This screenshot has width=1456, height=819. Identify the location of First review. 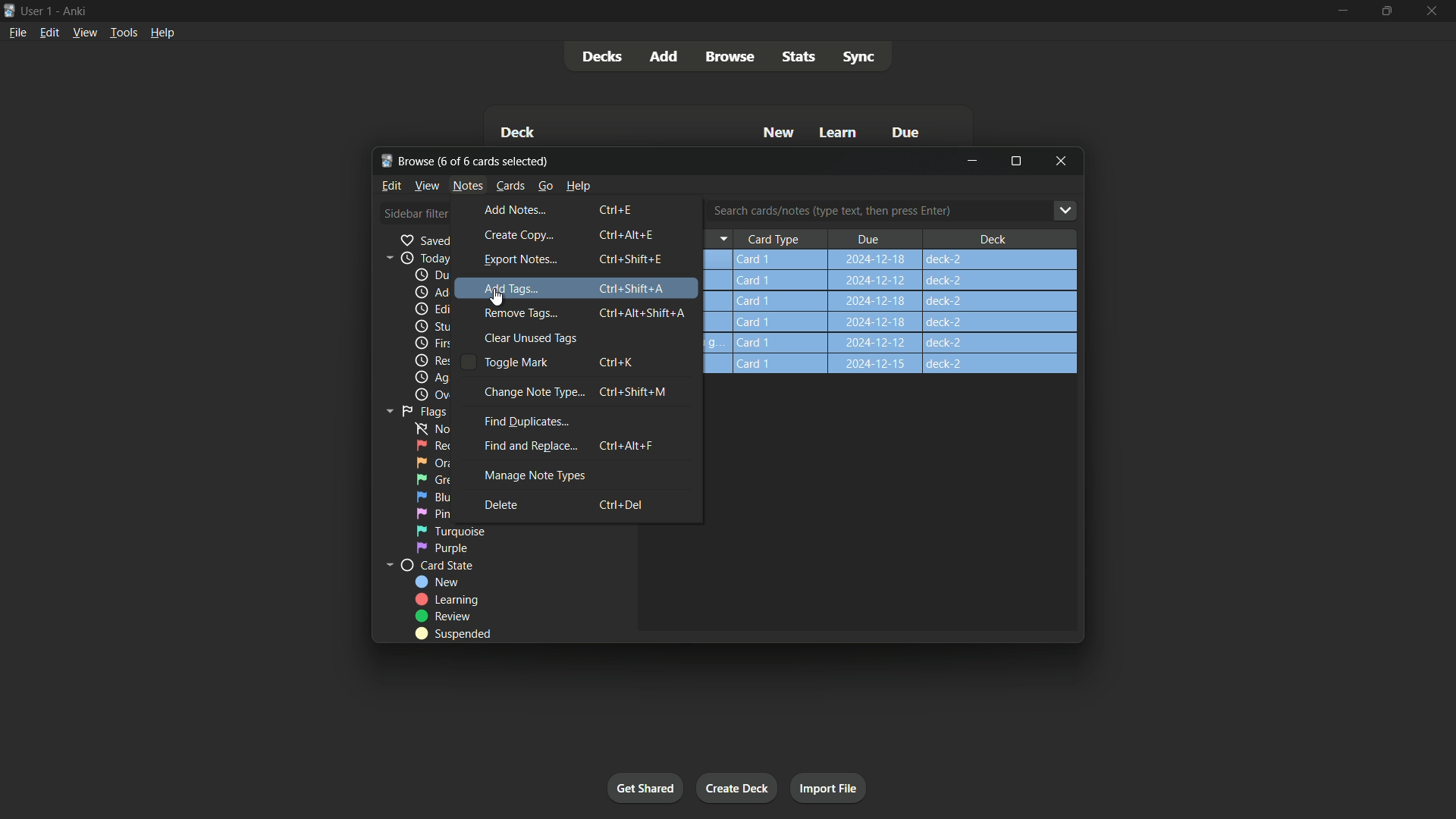
(434, 343).